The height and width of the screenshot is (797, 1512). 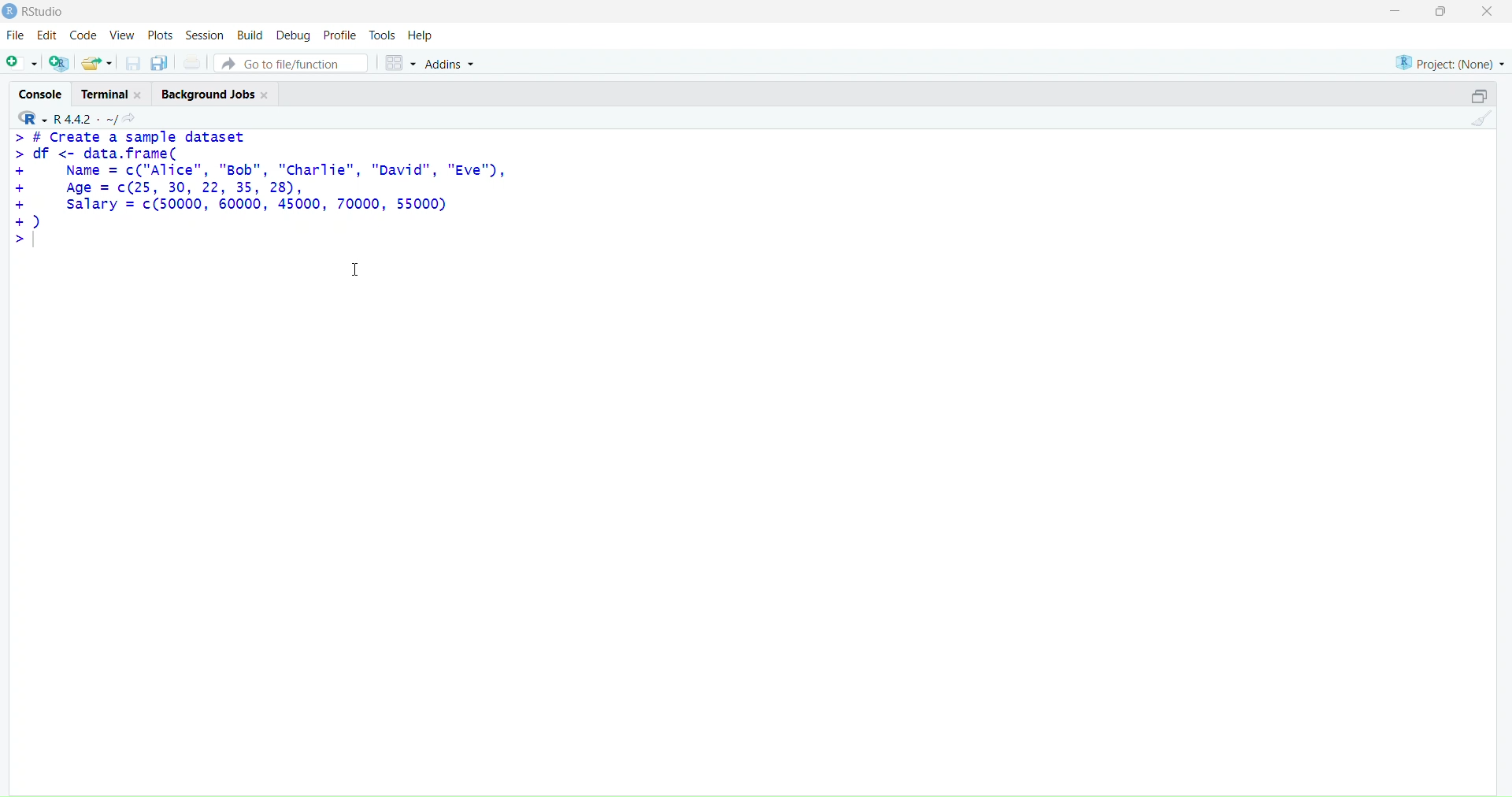 I want to click on code, so click(x=86, y=35).